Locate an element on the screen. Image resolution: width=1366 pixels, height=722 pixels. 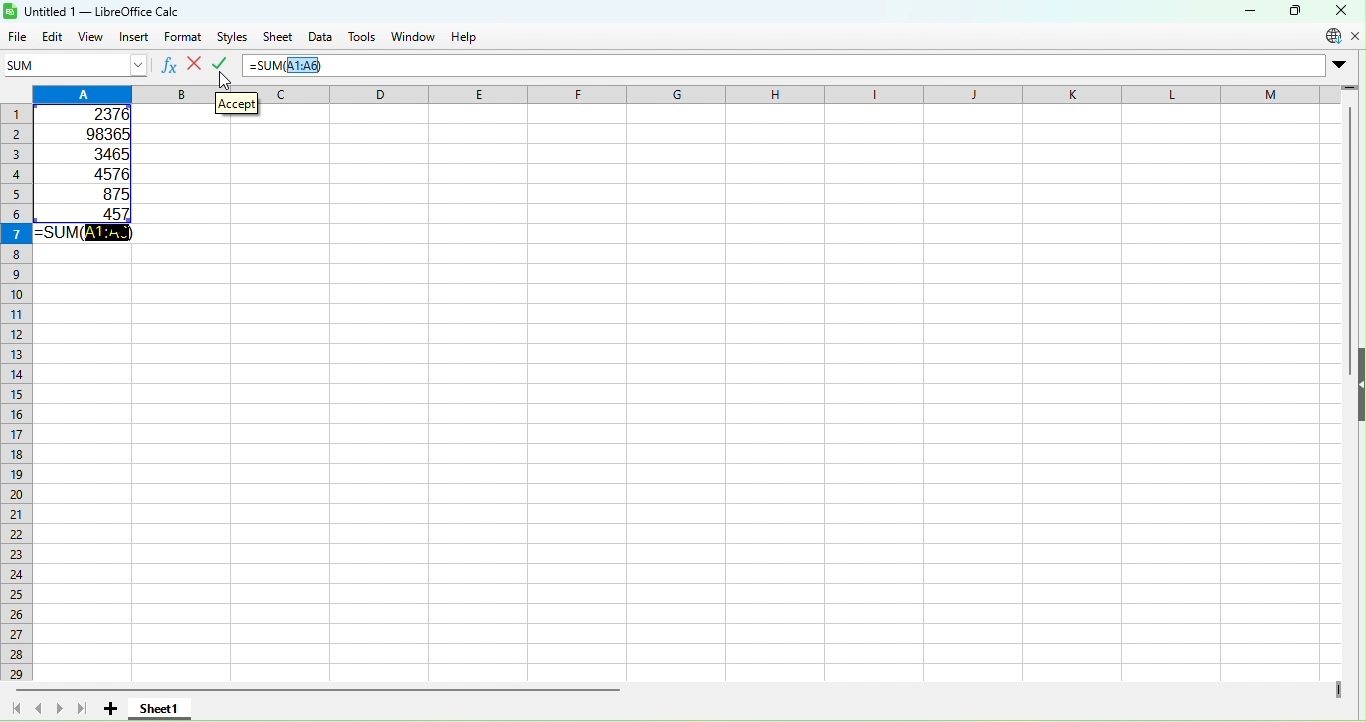
=SUM(A1:A6) is located at coordinates (295, 65).